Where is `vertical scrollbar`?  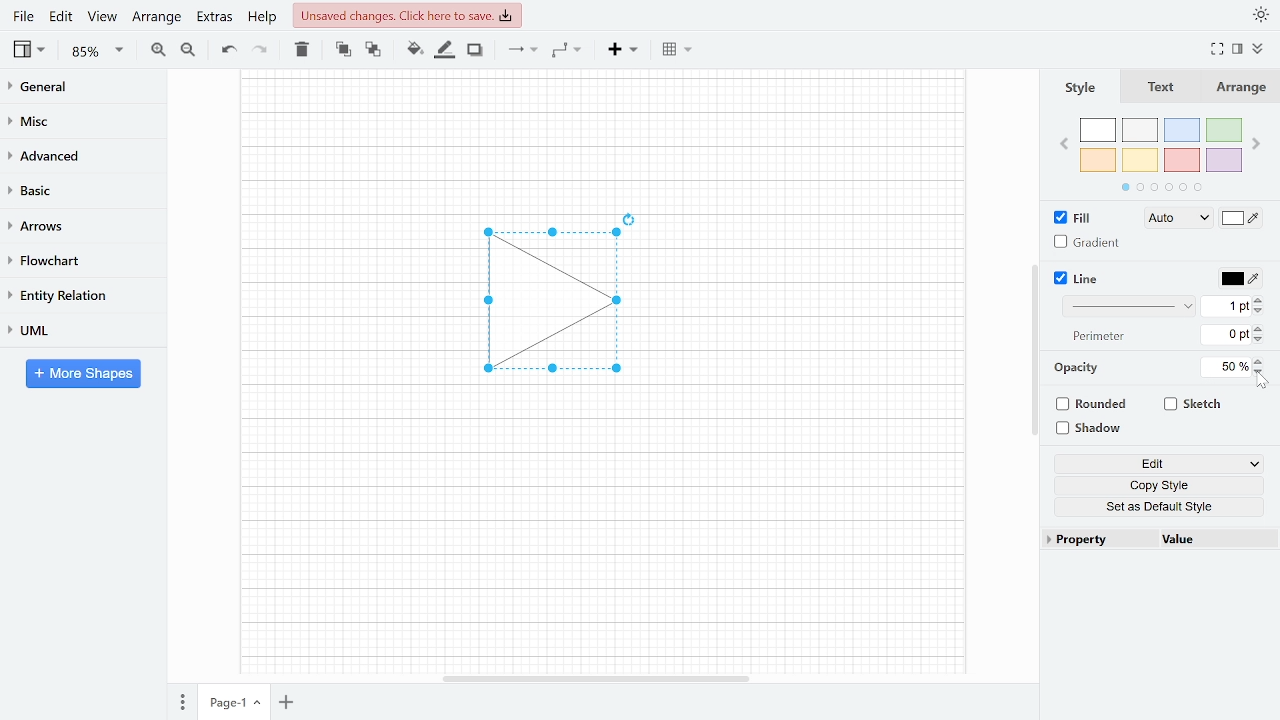 vertical scrollbar is located at coordinates (1034, 350).